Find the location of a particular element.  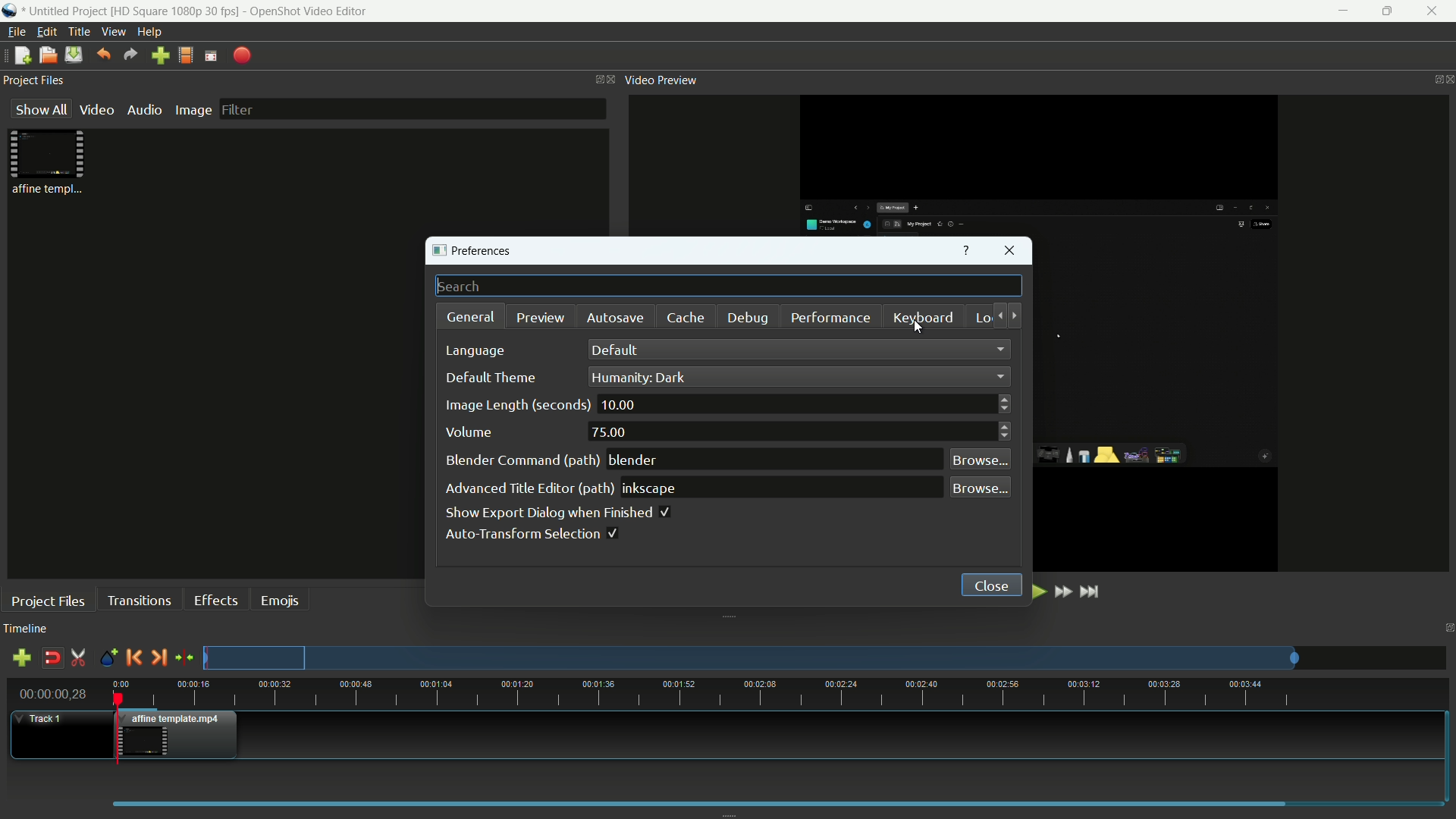

show export dialog when finished is located at coordinates (559, 512).